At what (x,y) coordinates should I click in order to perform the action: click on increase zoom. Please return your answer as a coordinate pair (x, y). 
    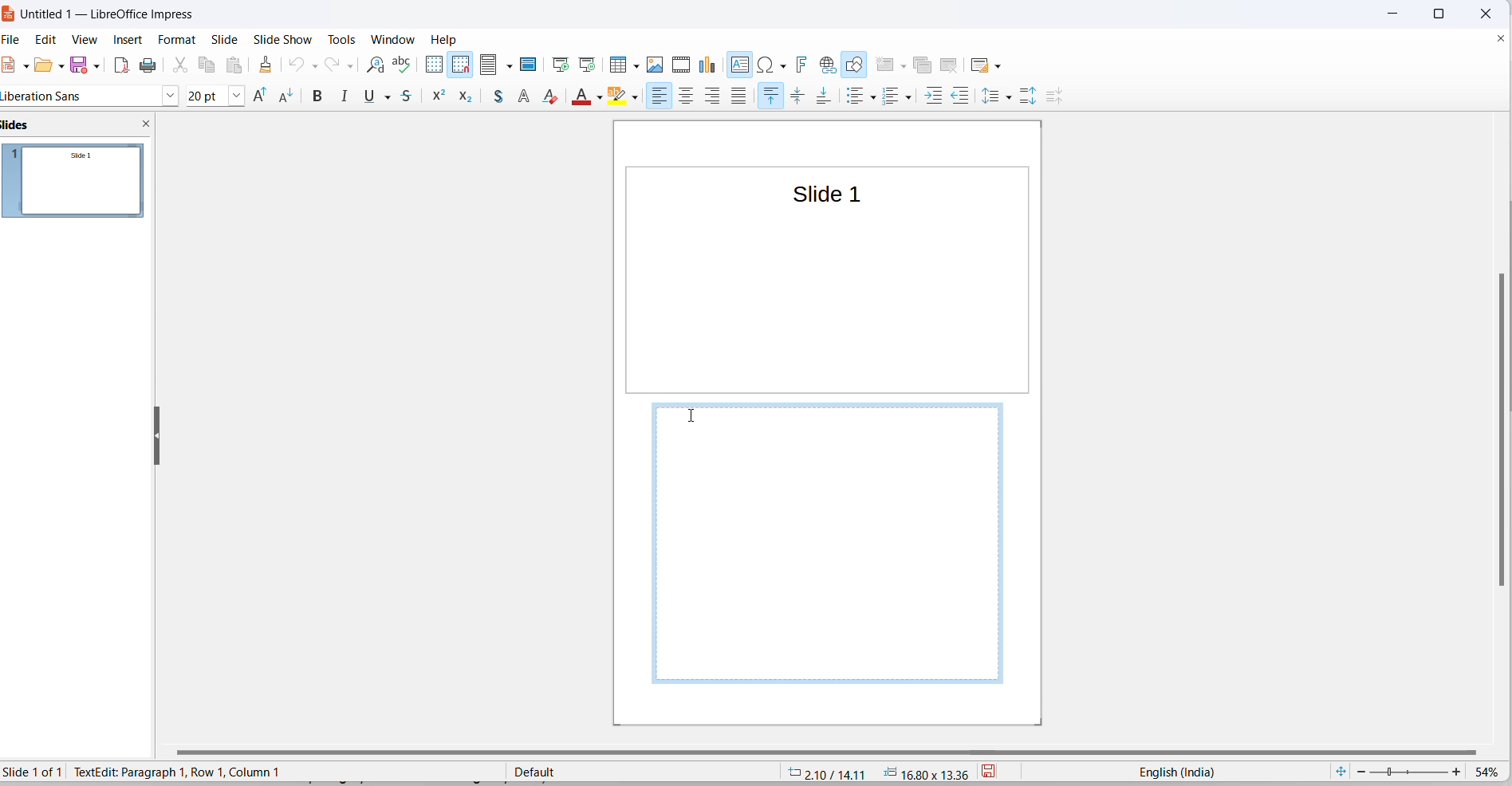
    Looking at the image, I should click on (1458, 773).